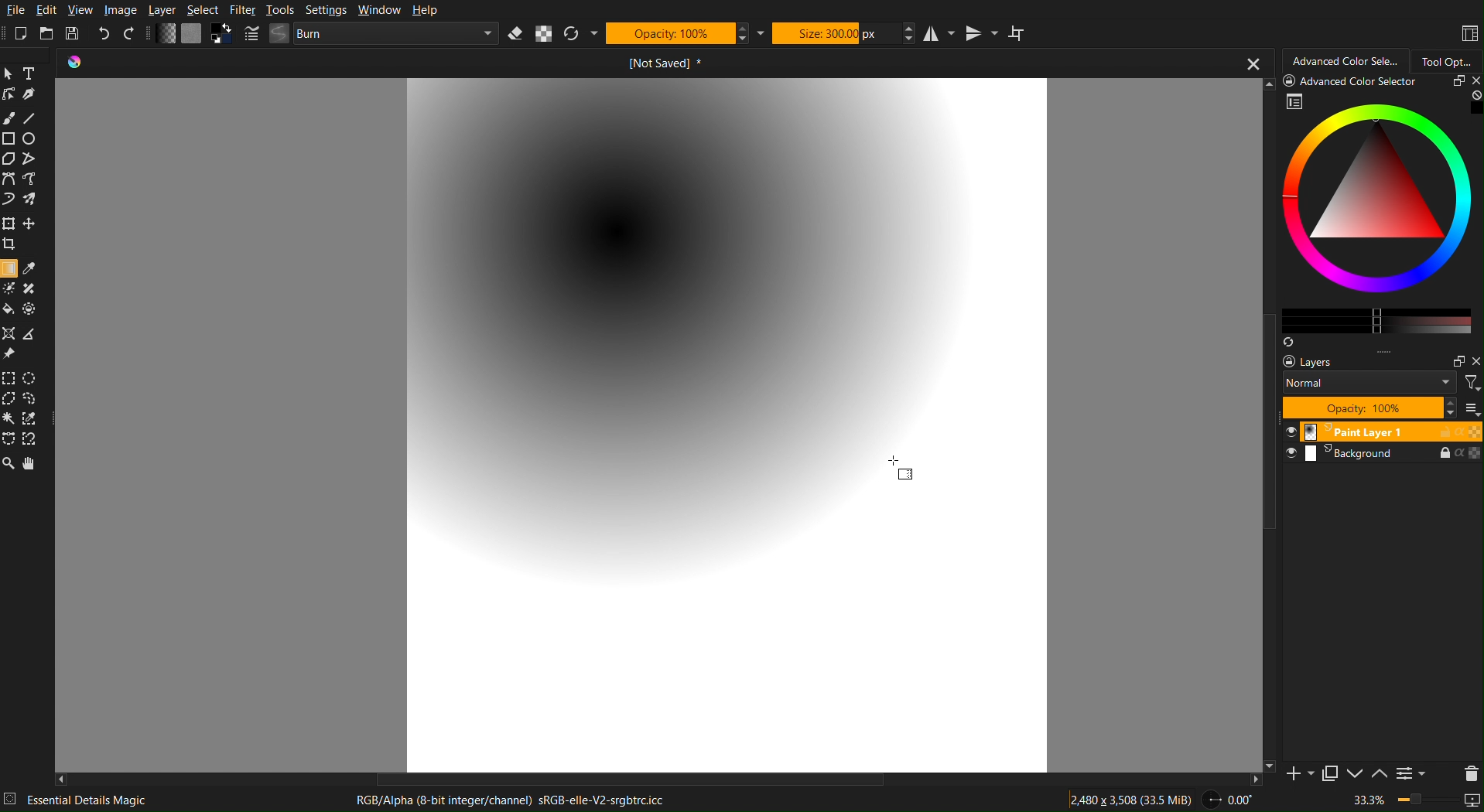 This screenshot has width=1484, height=812. What do you see at coordinates (12, 798) in the screenshot?
I see `details` at bounding box center [12, 798].